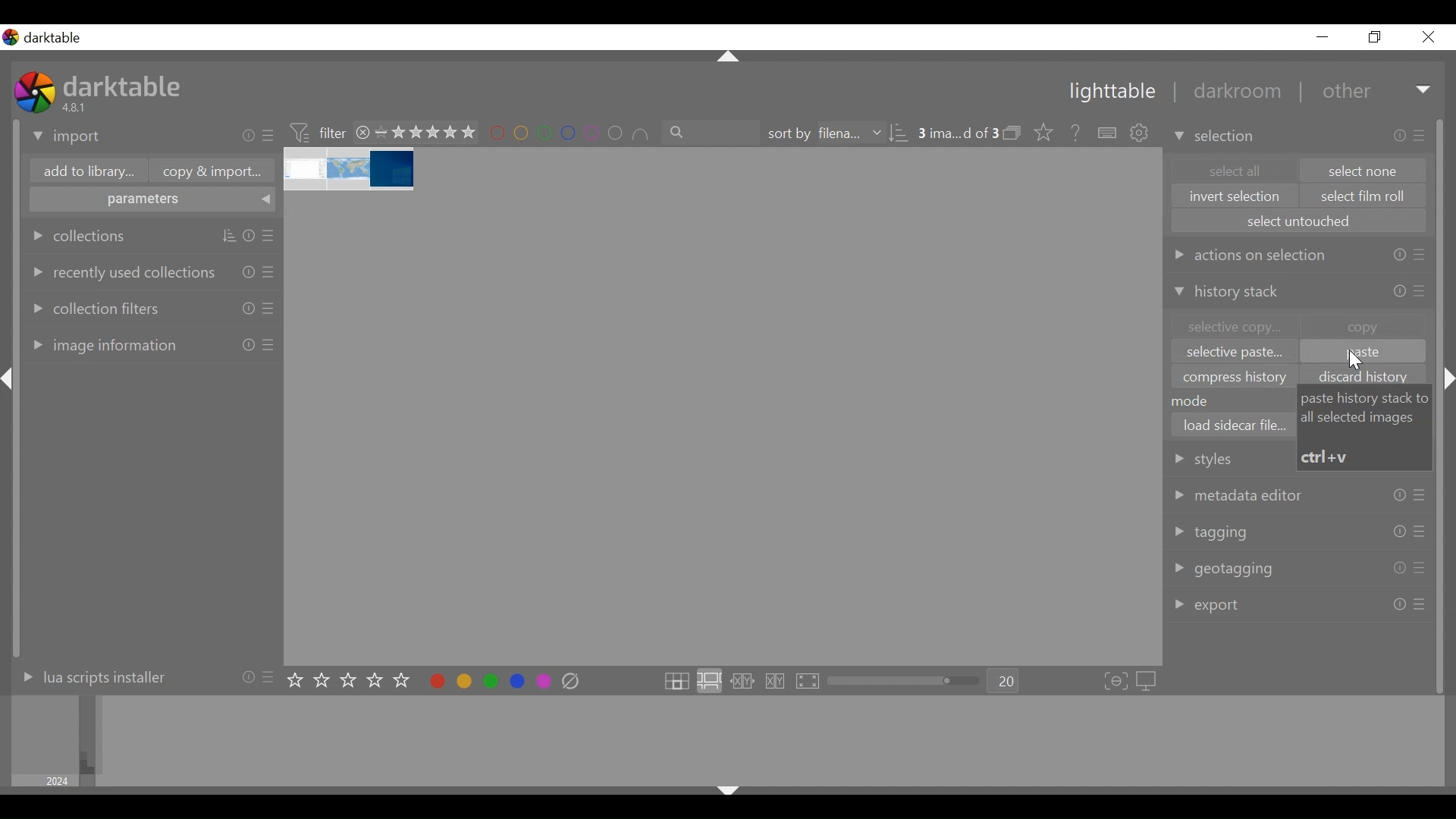 The image size is (1456, 819). What do you see at coordinates (1357, 361) in the screenshot?
I see `cursor` at bounding box center [1357, 361].